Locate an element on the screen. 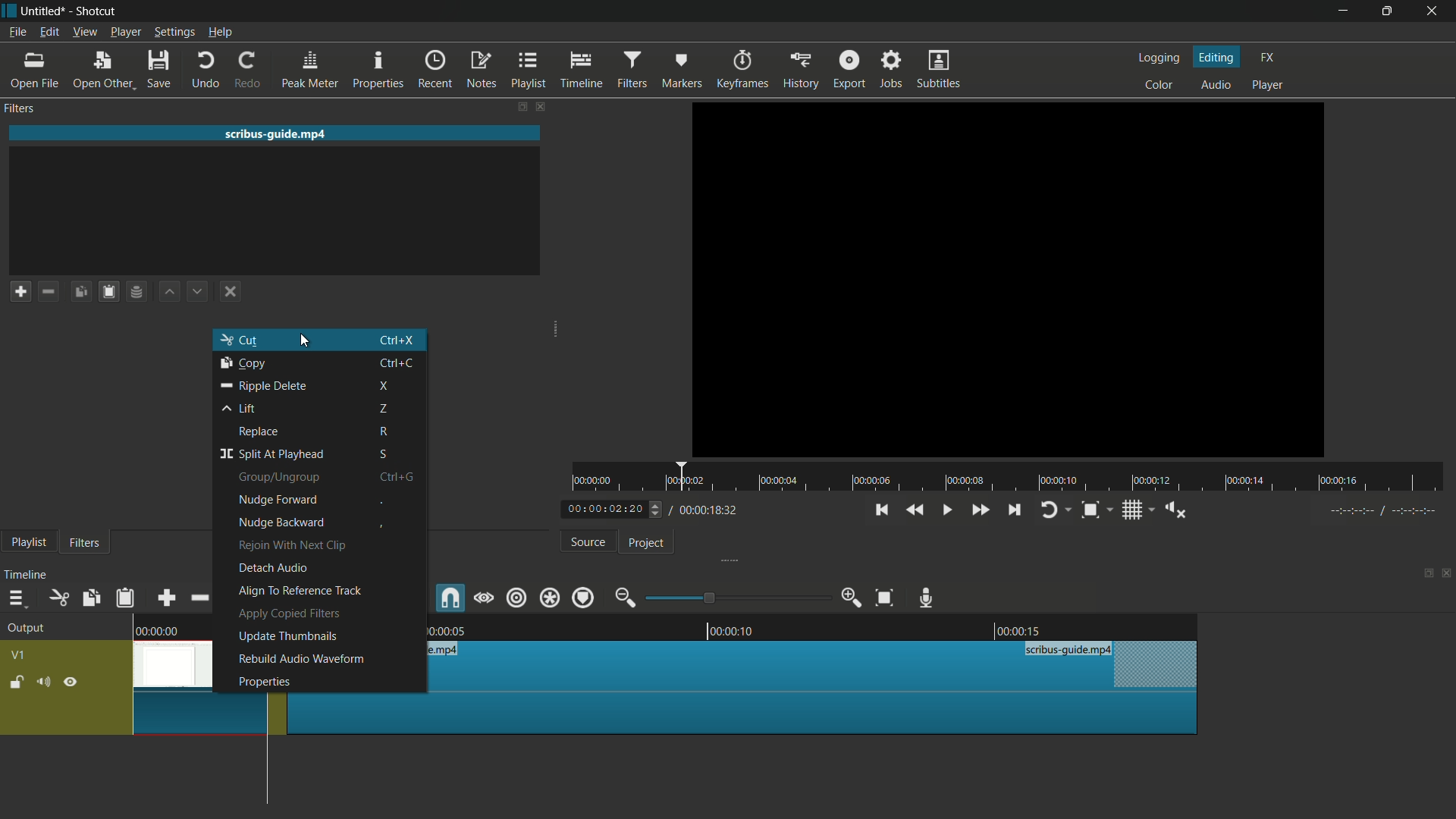 The width and height of the screenshot is (1456, 819). change layout is located at coordinates (519, 105).